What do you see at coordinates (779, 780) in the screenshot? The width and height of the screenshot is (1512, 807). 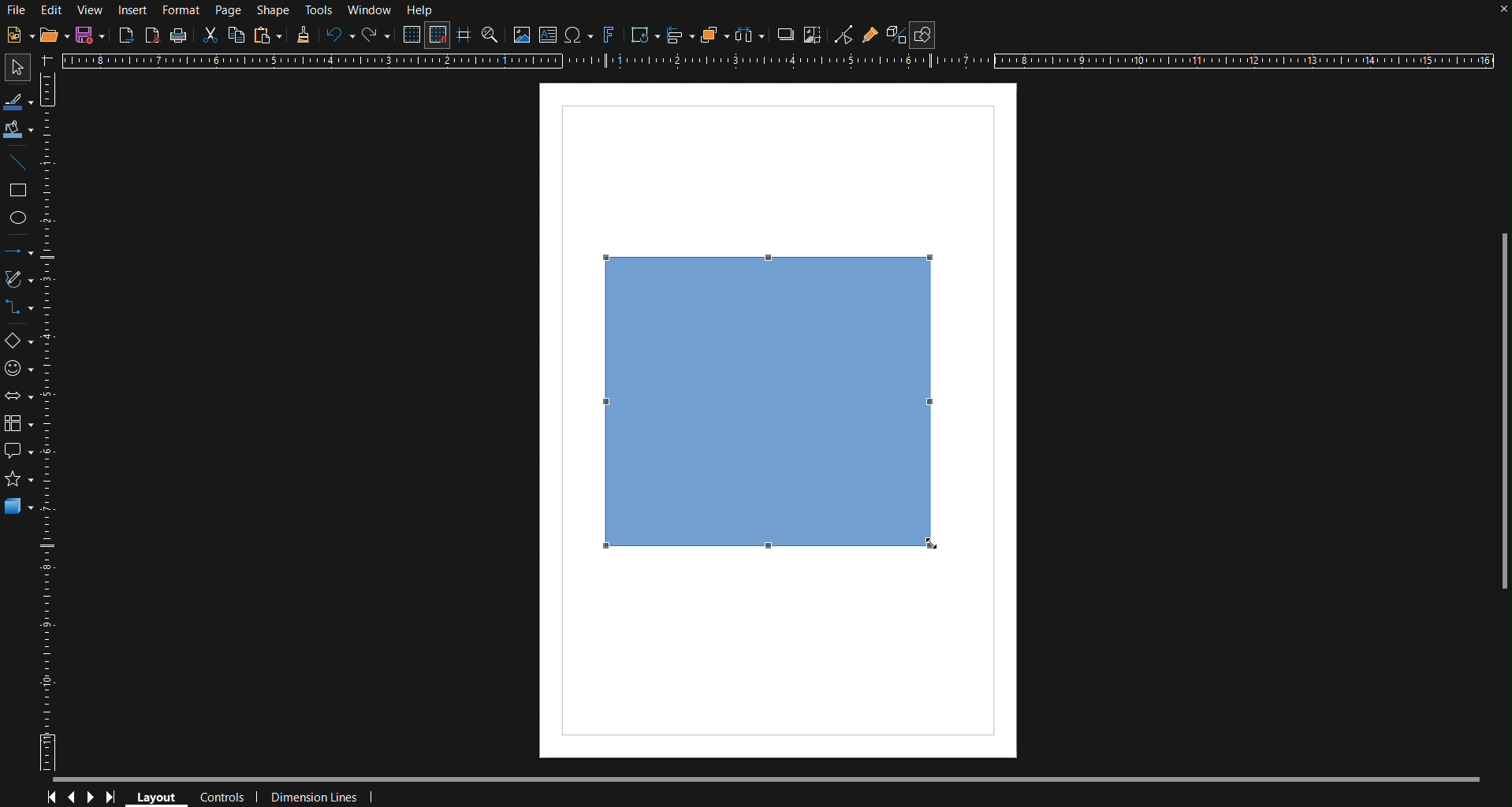 I see `Scrollbar` at bounding box center [779, 780].